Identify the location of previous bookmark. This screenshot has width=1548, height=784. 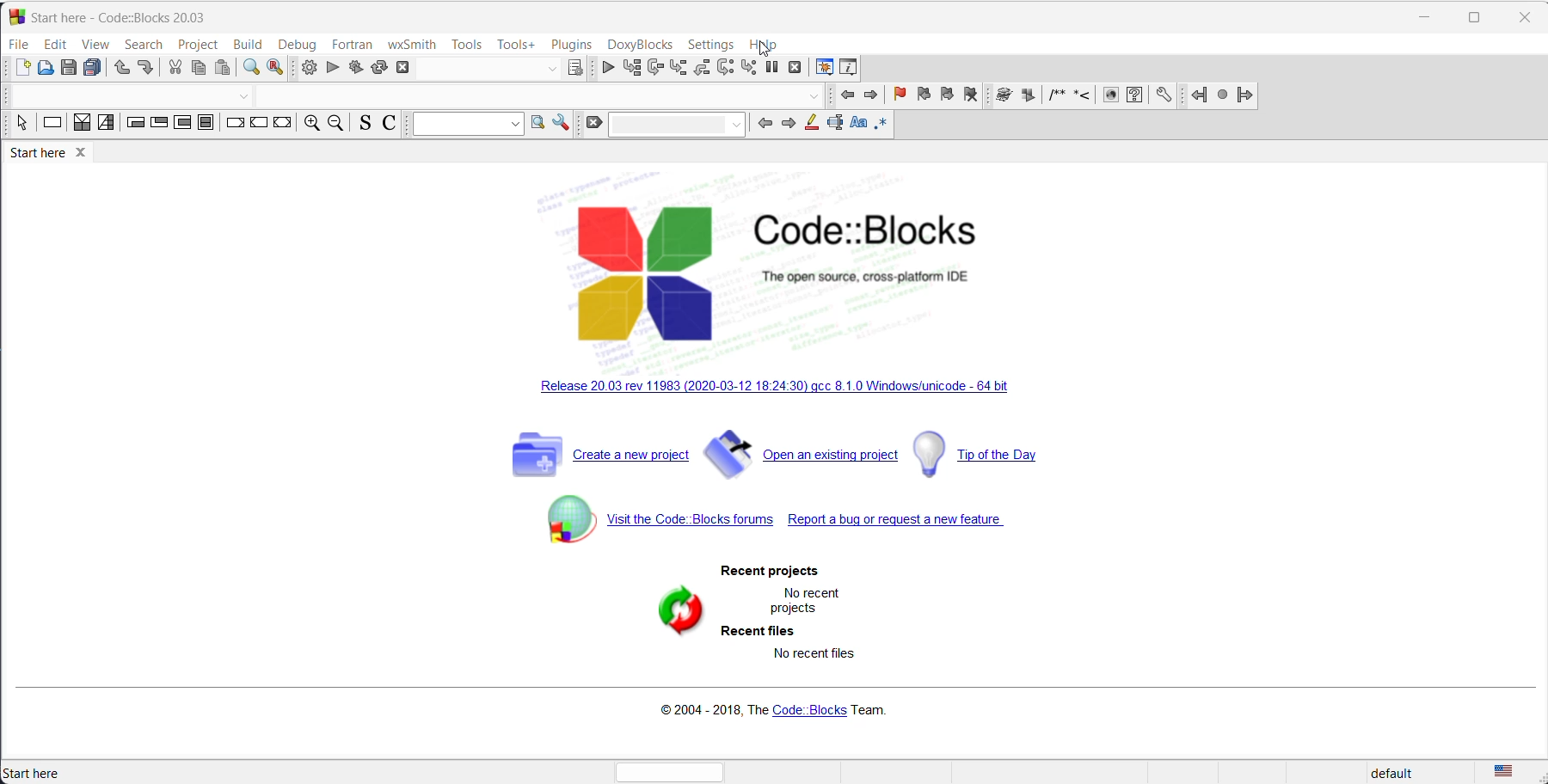
(924, 95).